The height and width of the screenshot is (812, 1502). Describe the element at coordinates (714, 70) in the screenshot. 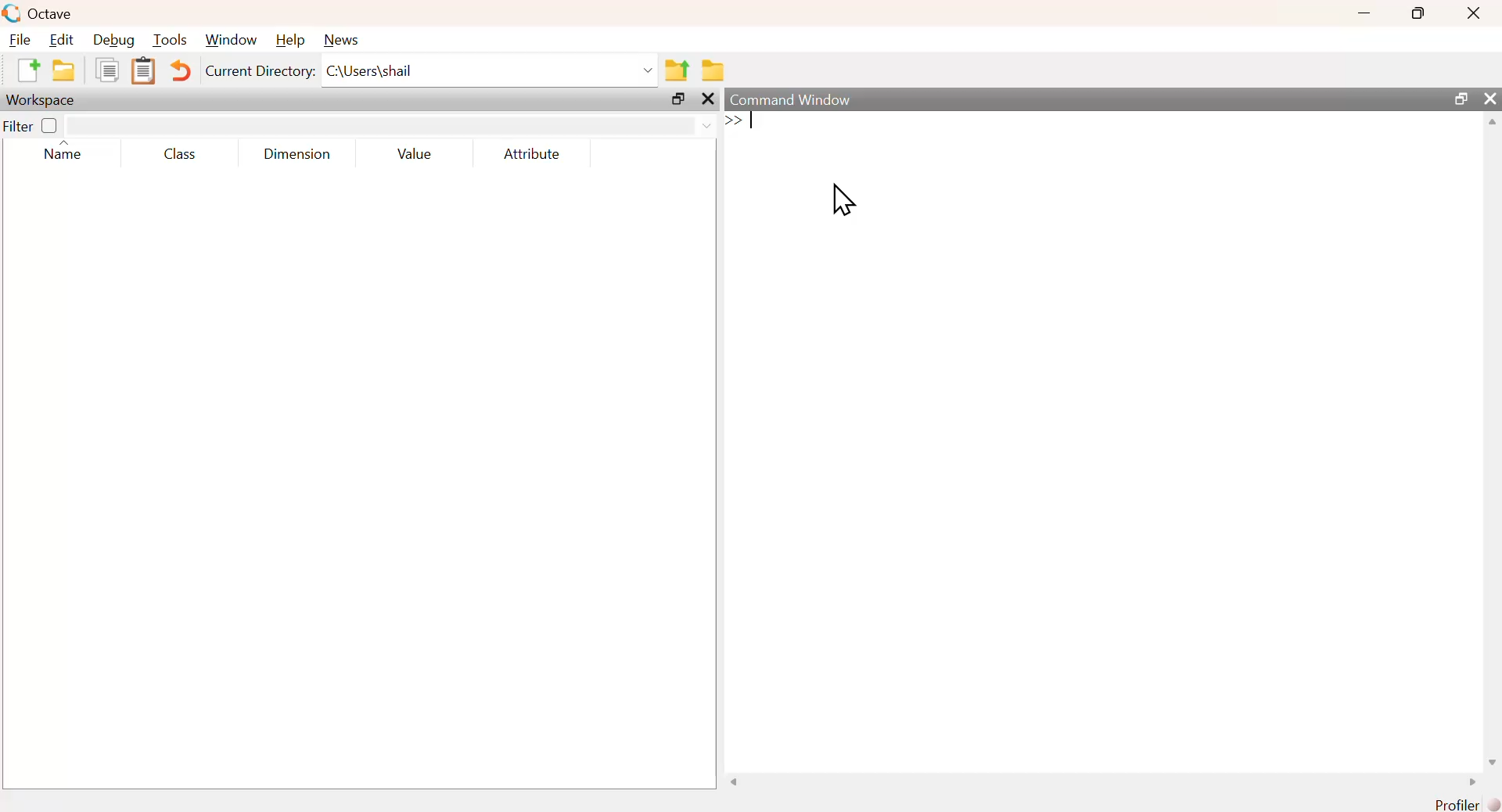

I see `browse directories` at that location.